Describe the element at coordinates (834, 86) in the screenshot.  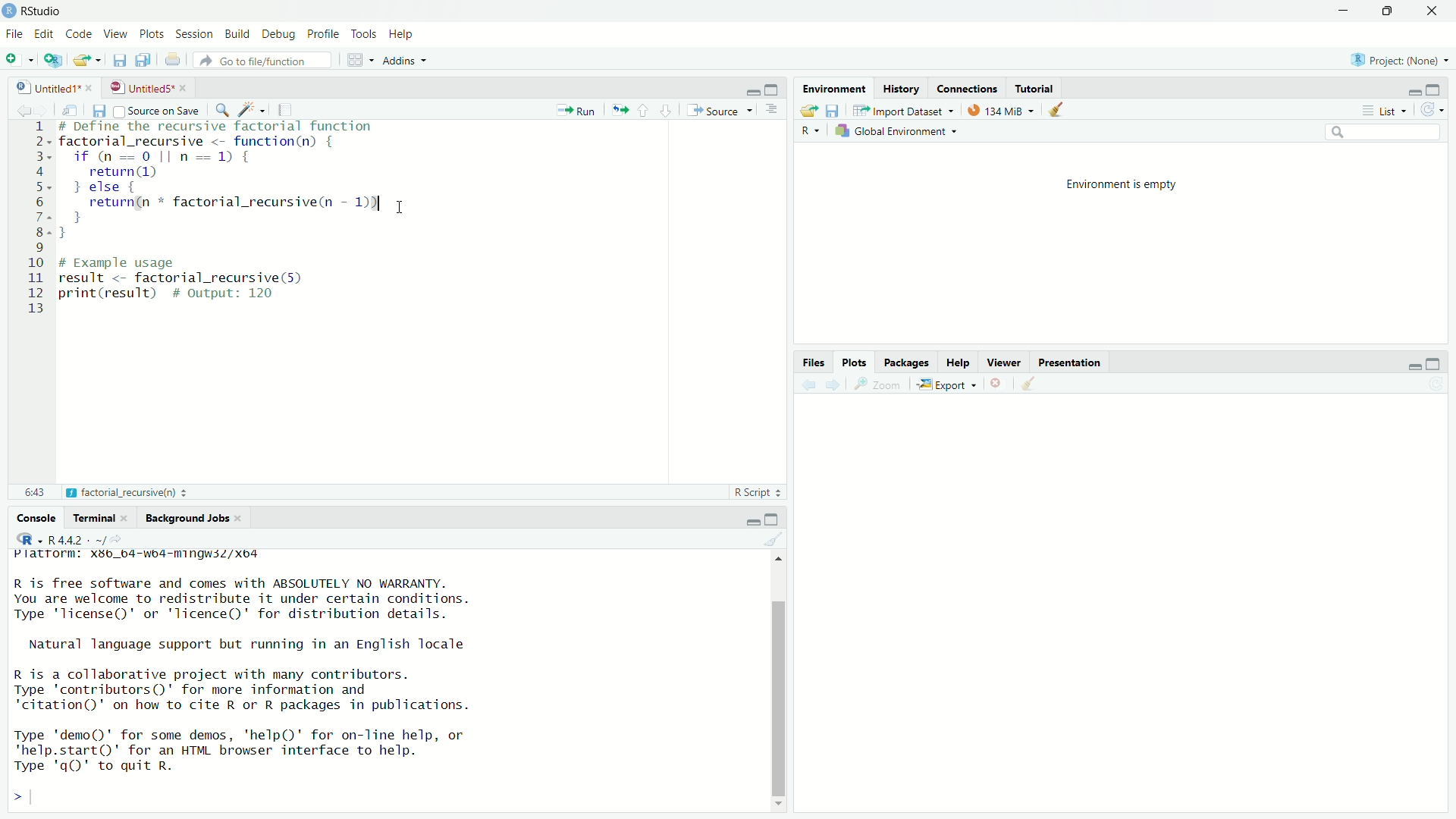
I see `Environment` at that location.